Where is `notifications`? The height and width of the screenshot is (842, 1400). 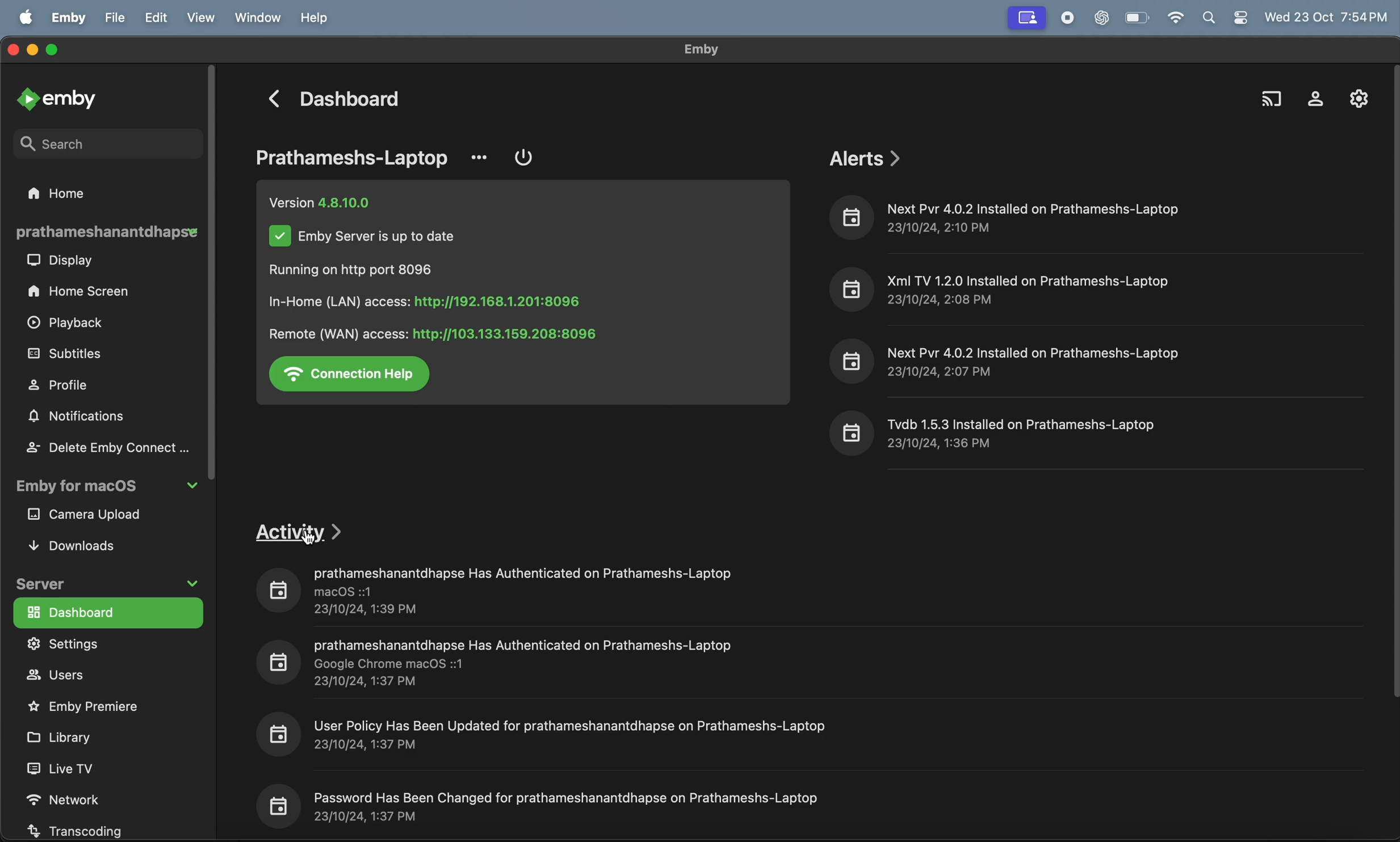 notifications is located at coordinates (82, 418).